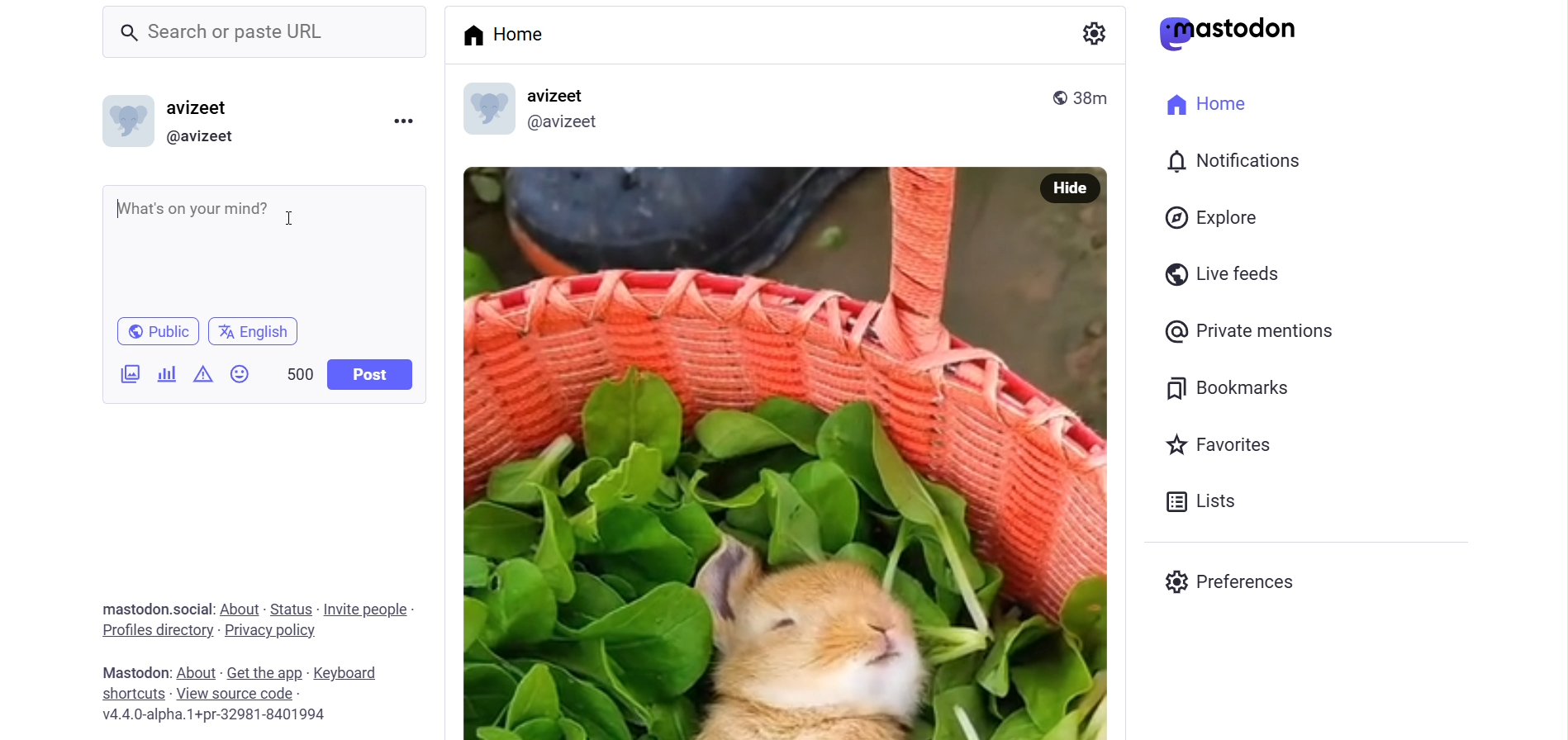 This screenshot has height=740, width=1568. I want to click on 38m, so click(1098, 97).